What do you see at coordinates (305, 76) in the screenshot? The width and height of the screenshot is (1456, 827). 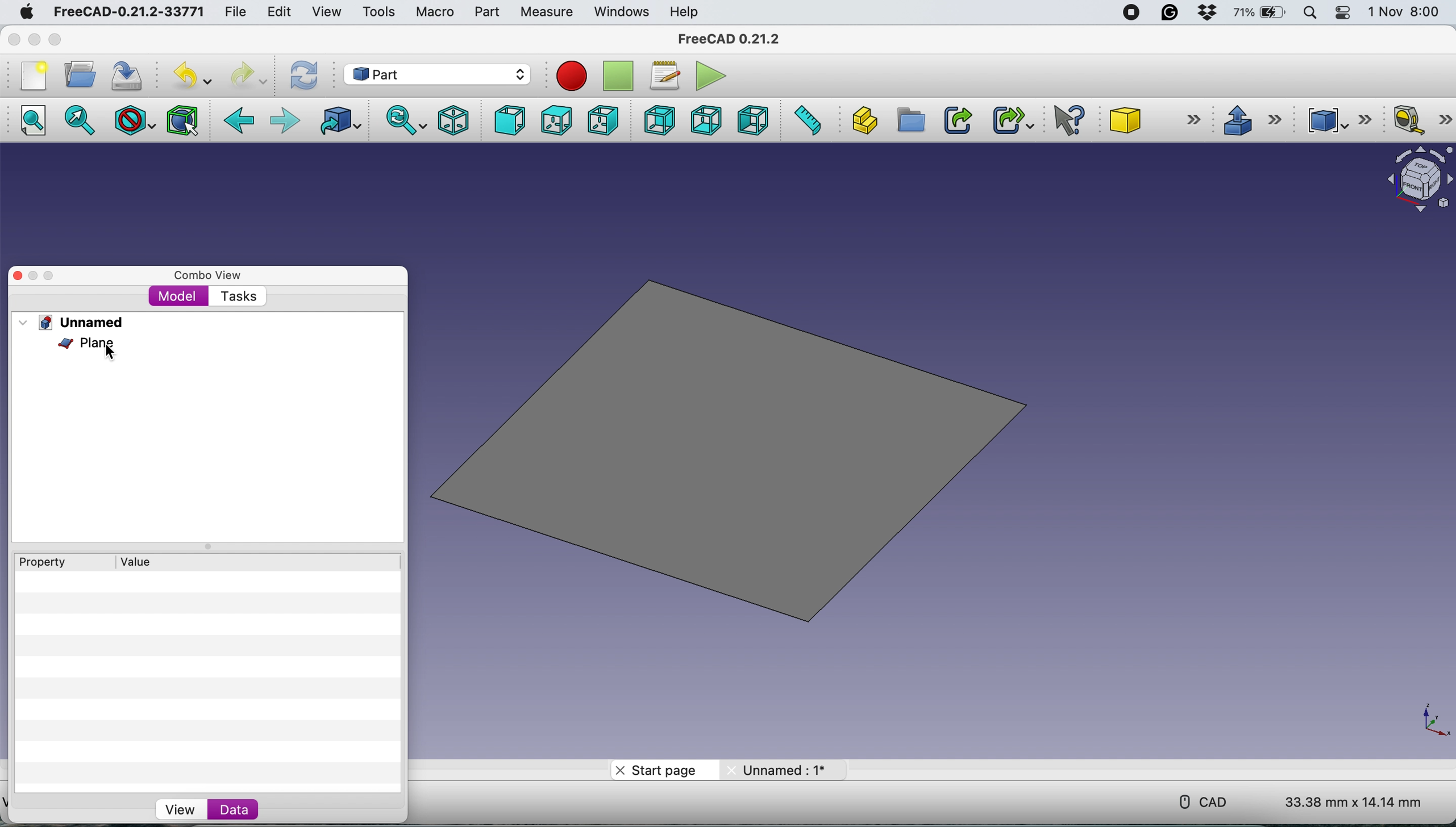 I see `refresh` at bounding box center [305, 76].